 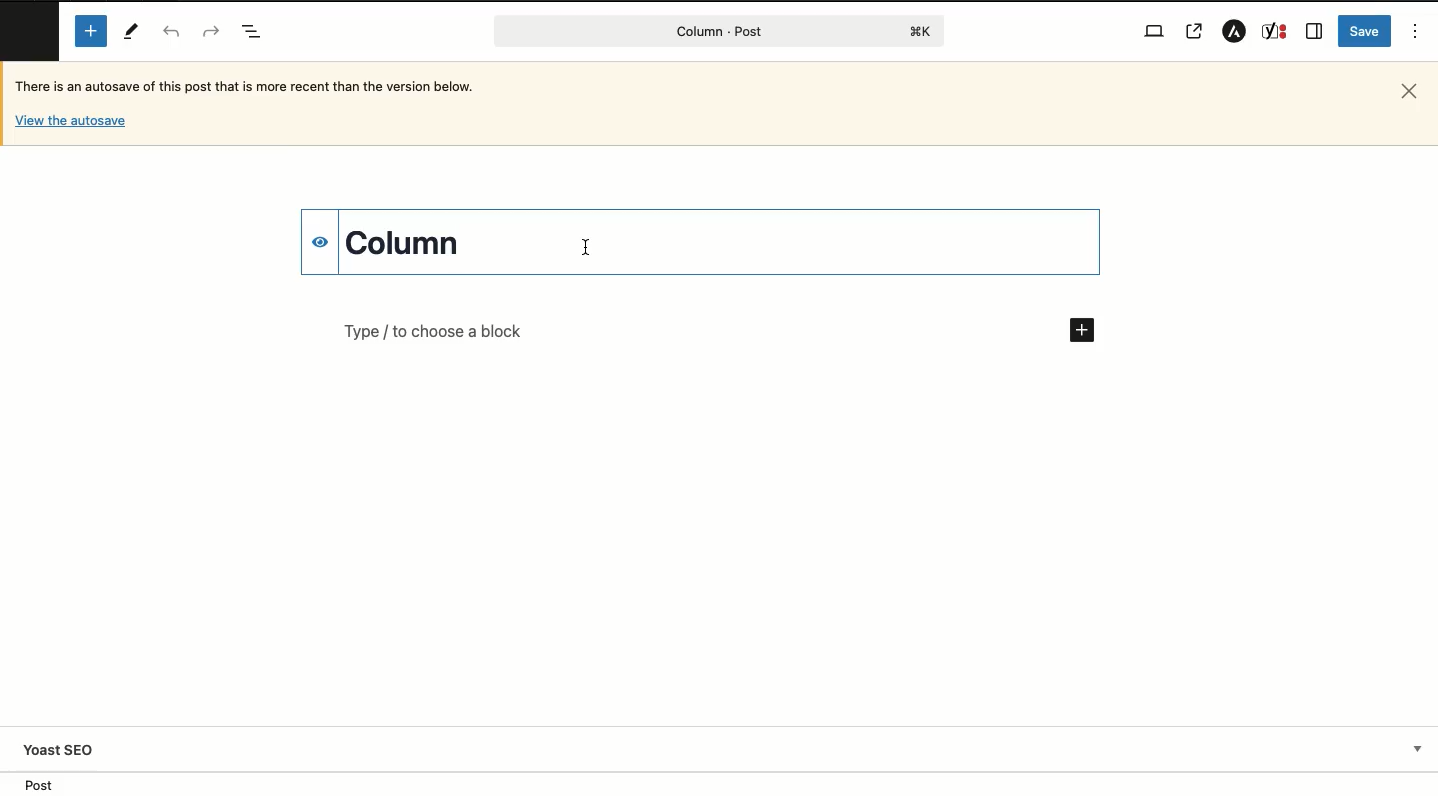 What do you see at coordinates (131, 31) in the screenshot?
I see `` at bounding box center [131, 31].